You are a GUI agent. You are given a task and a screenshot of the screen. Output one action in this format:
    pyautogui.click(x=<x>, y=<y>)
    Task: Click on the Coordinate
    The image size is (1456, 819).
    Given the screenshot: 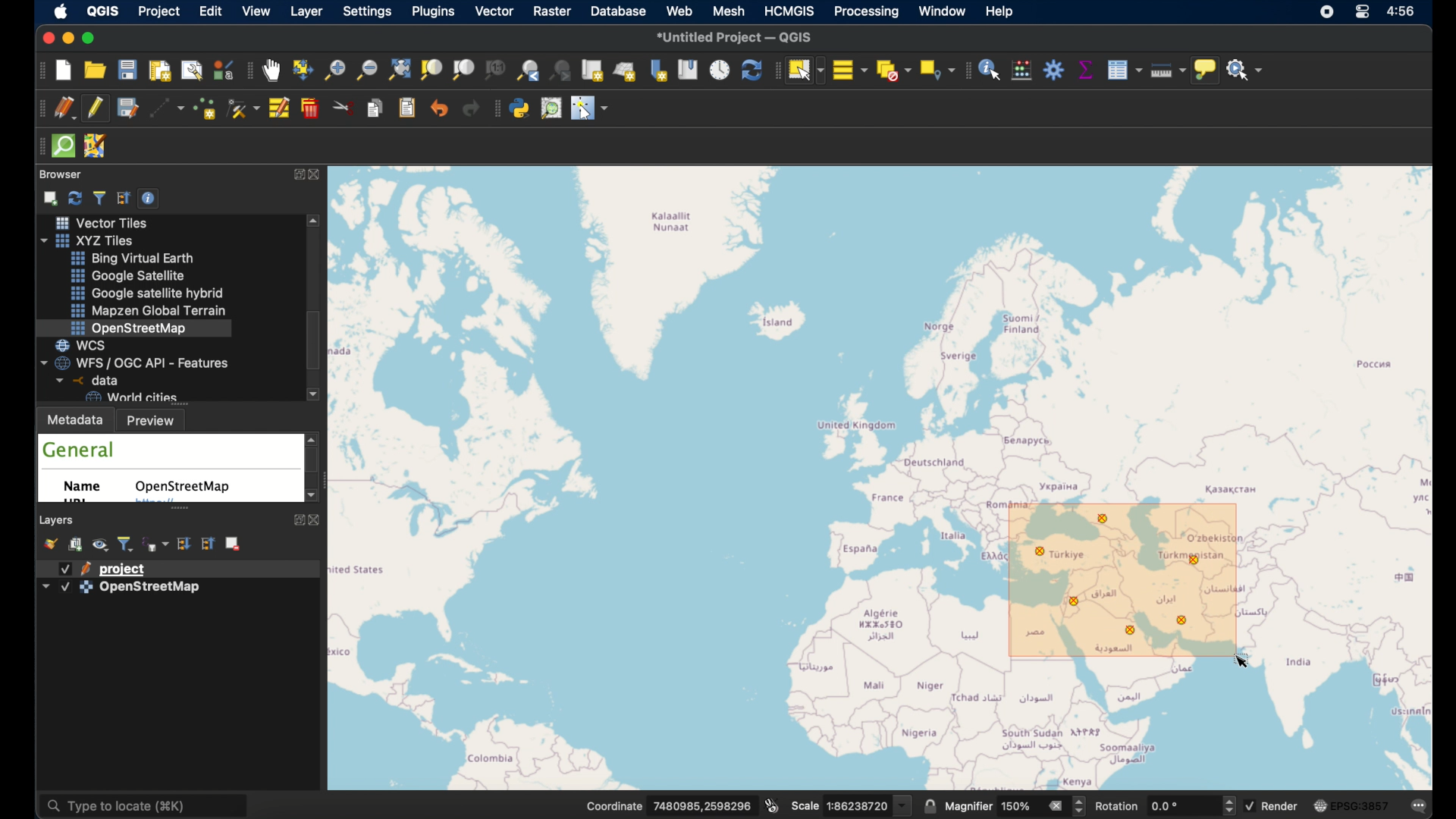 What is the action you would take?
    pyautogui.click(x=604, y=805)
    